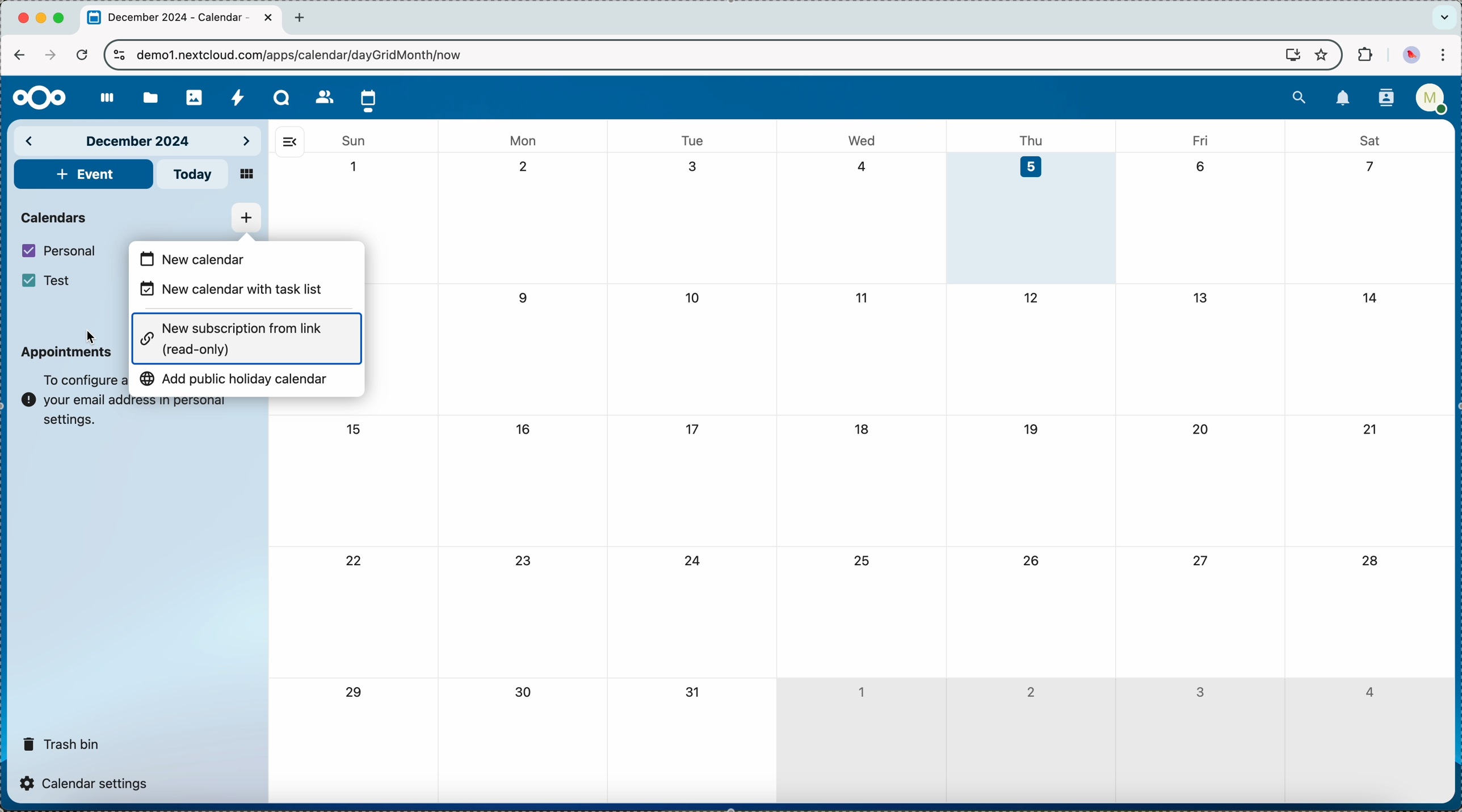 This screenshot has width=1462, height=812. I want to click on 1, so click(860, 689).